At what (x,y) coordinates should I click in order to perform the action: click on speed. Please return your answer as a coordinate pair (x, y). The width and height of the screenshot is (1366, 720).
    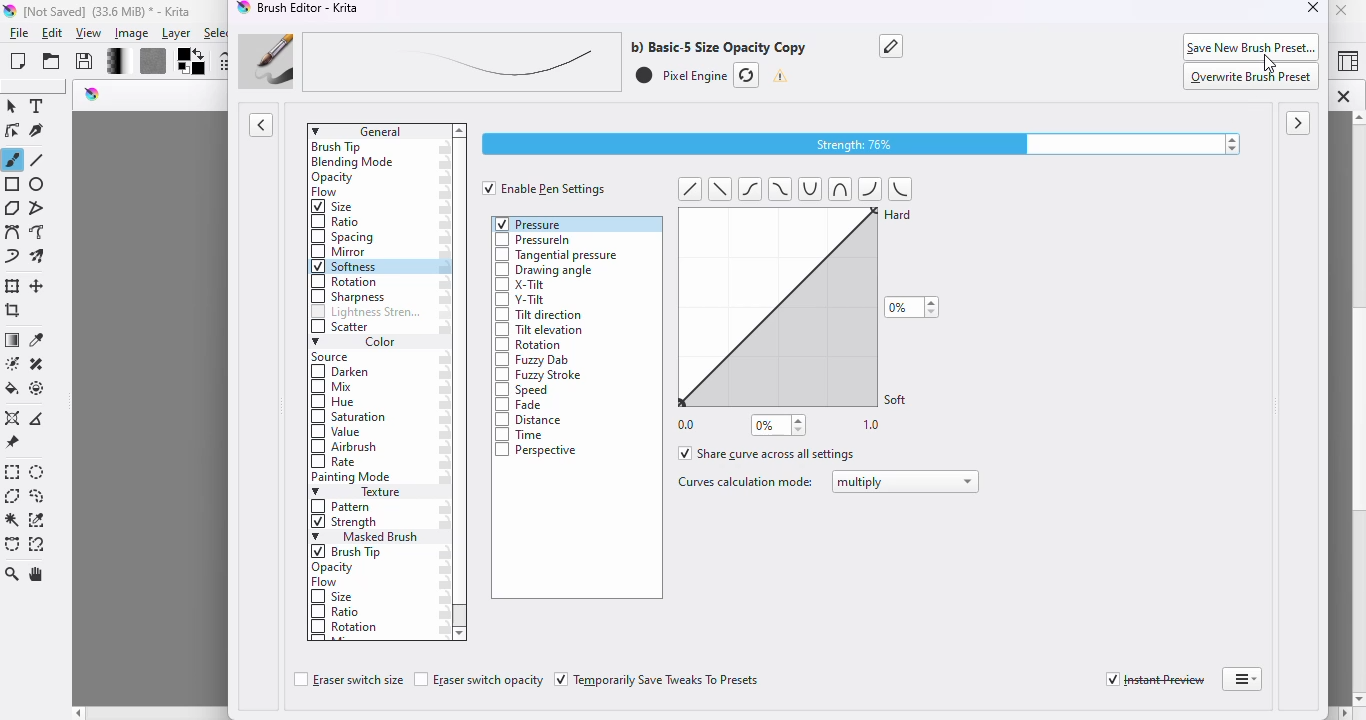
    Looking at the image, I should click on (523, 390).